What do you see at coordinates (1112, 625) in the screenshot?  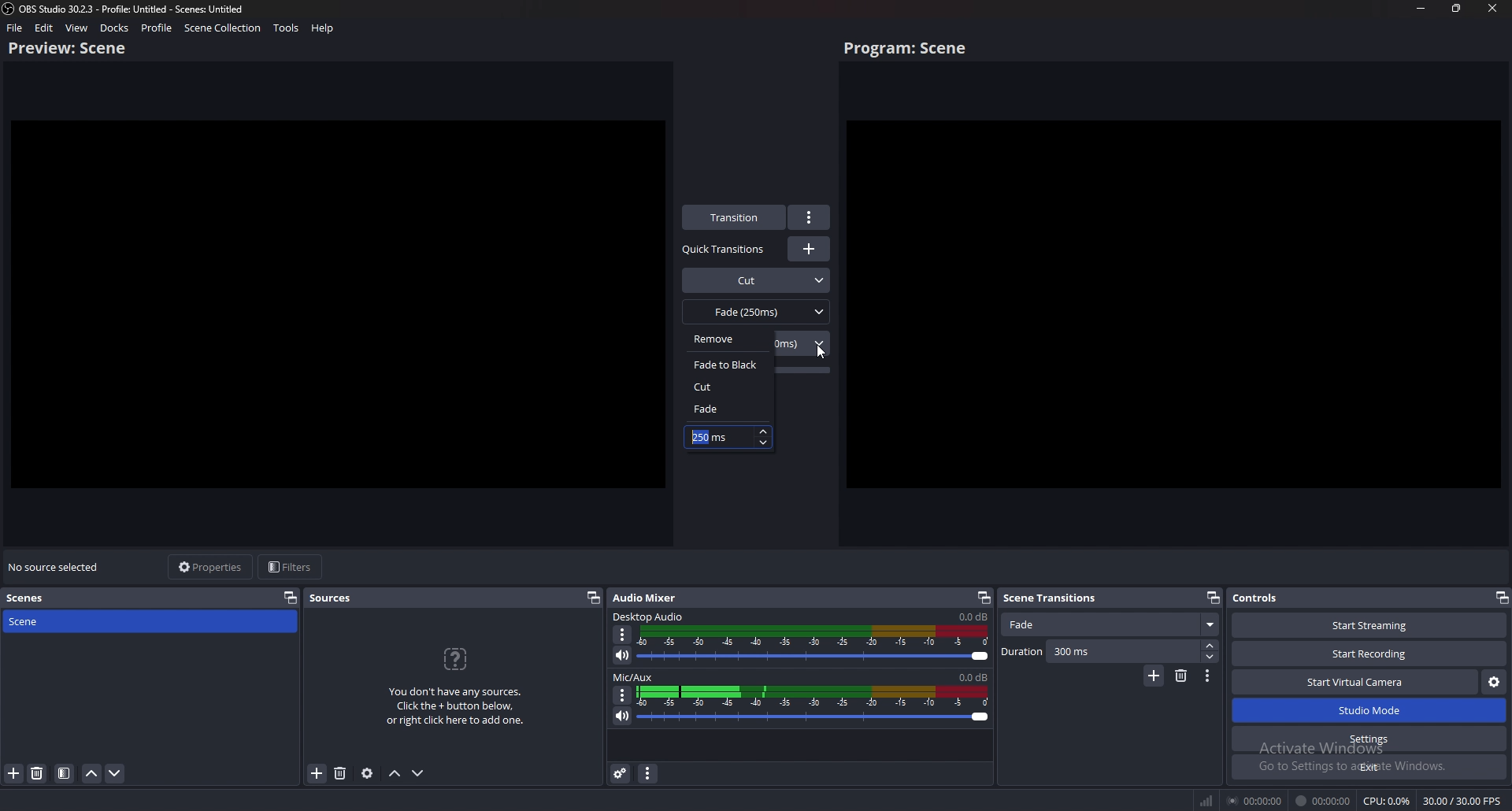 I see `Fade` at bounding box center [1112, 625].